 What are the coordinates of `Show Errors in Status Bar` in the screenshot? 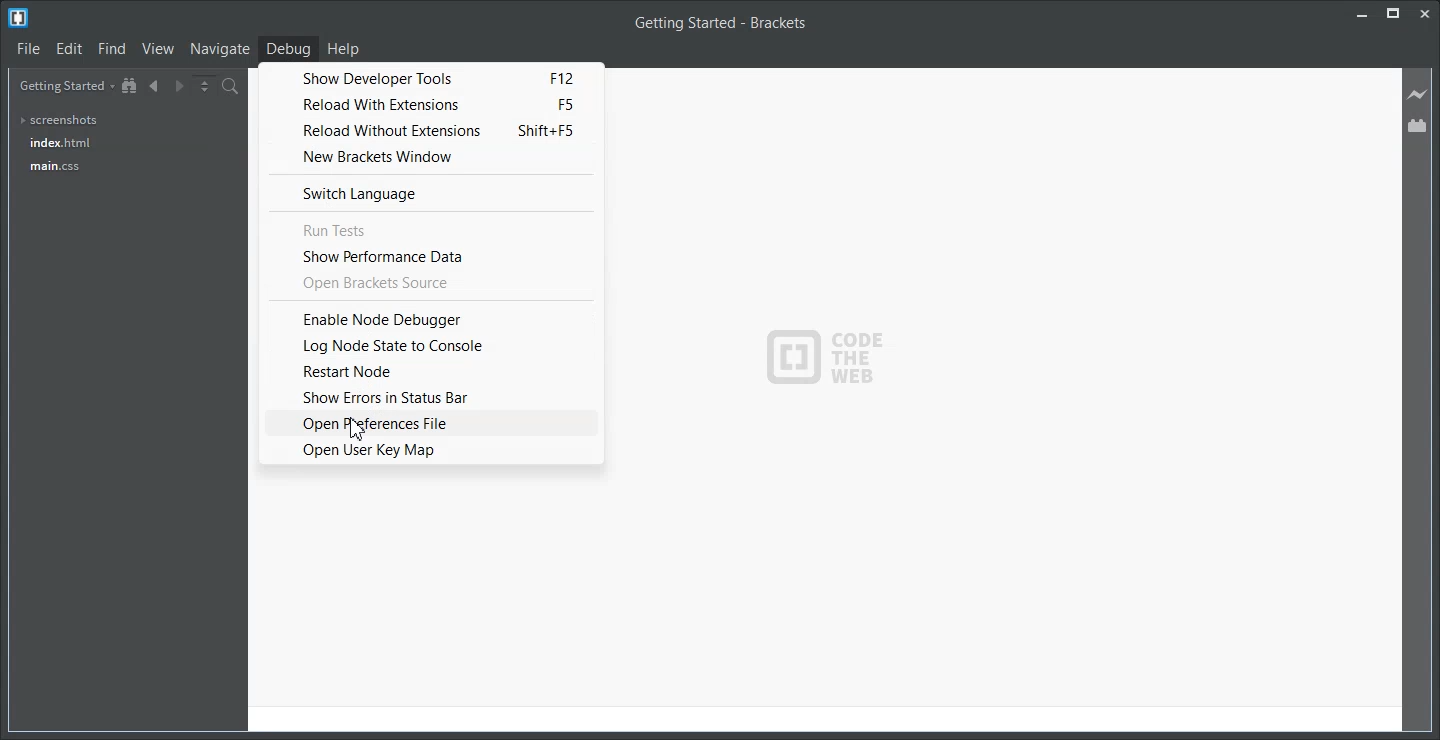 It's located at (430, 396).